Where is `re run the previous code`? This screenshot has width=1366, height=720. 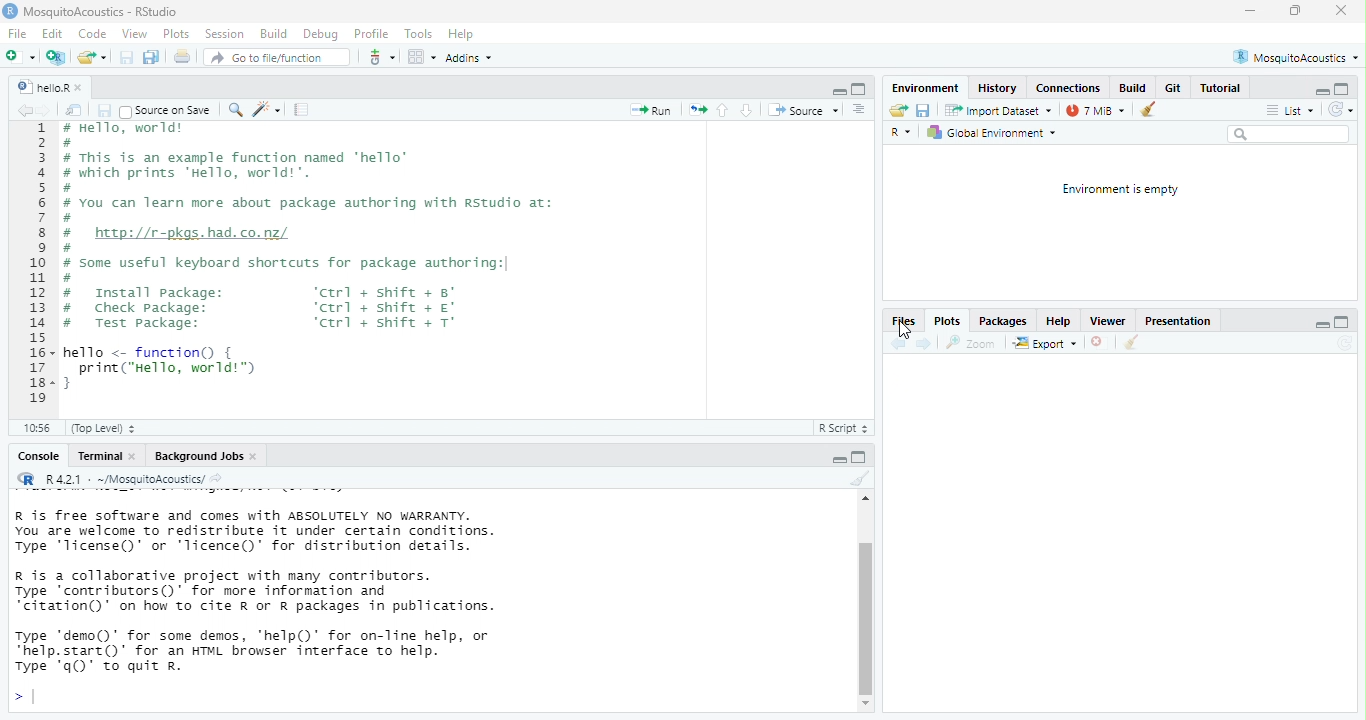 re run the previous code is located at coordinates (695, 110).